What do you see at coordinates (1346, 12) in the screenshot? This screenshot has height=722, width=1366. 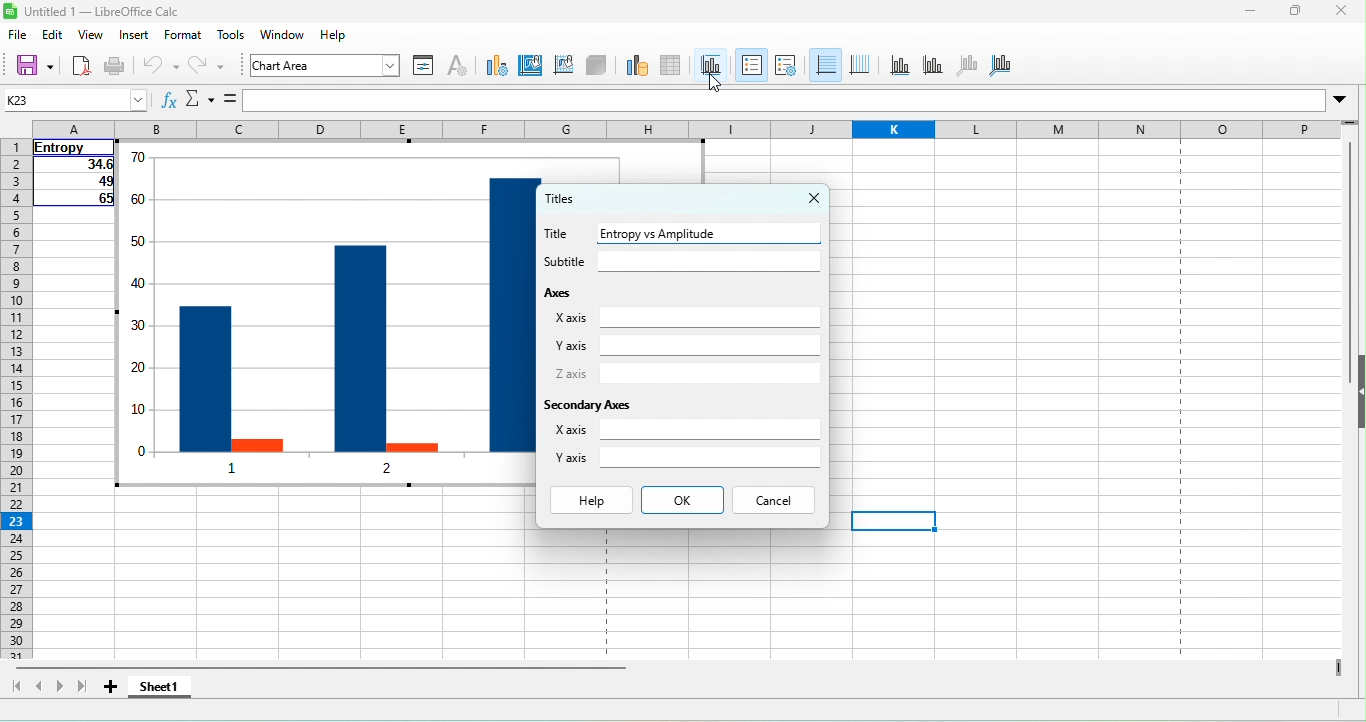 I see `close` at bounding box center [1346, 12].